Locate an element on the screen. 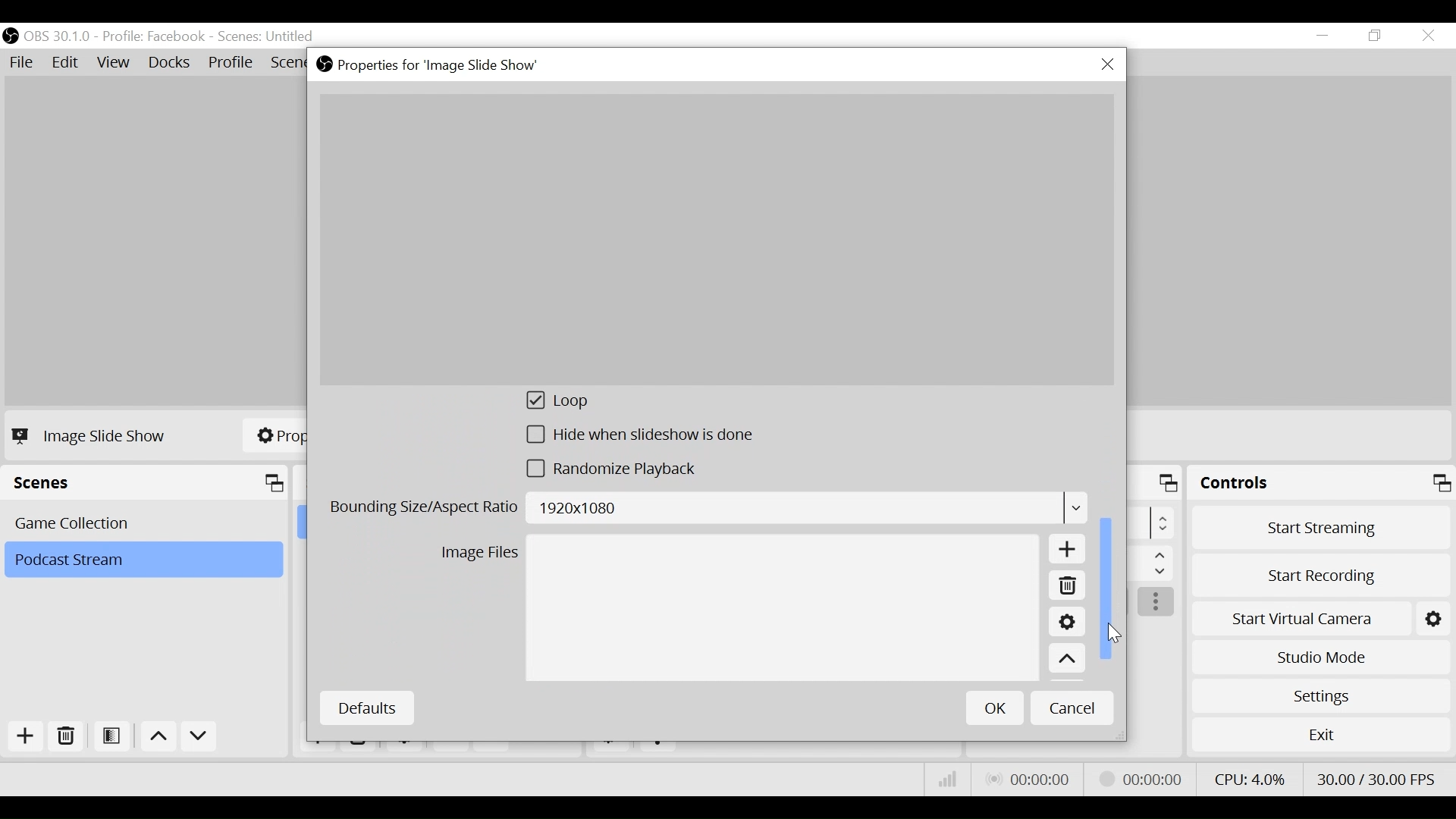 The width and height of the screenshot is (1456, 819). Cancel is located at coordinates (1072, 707).